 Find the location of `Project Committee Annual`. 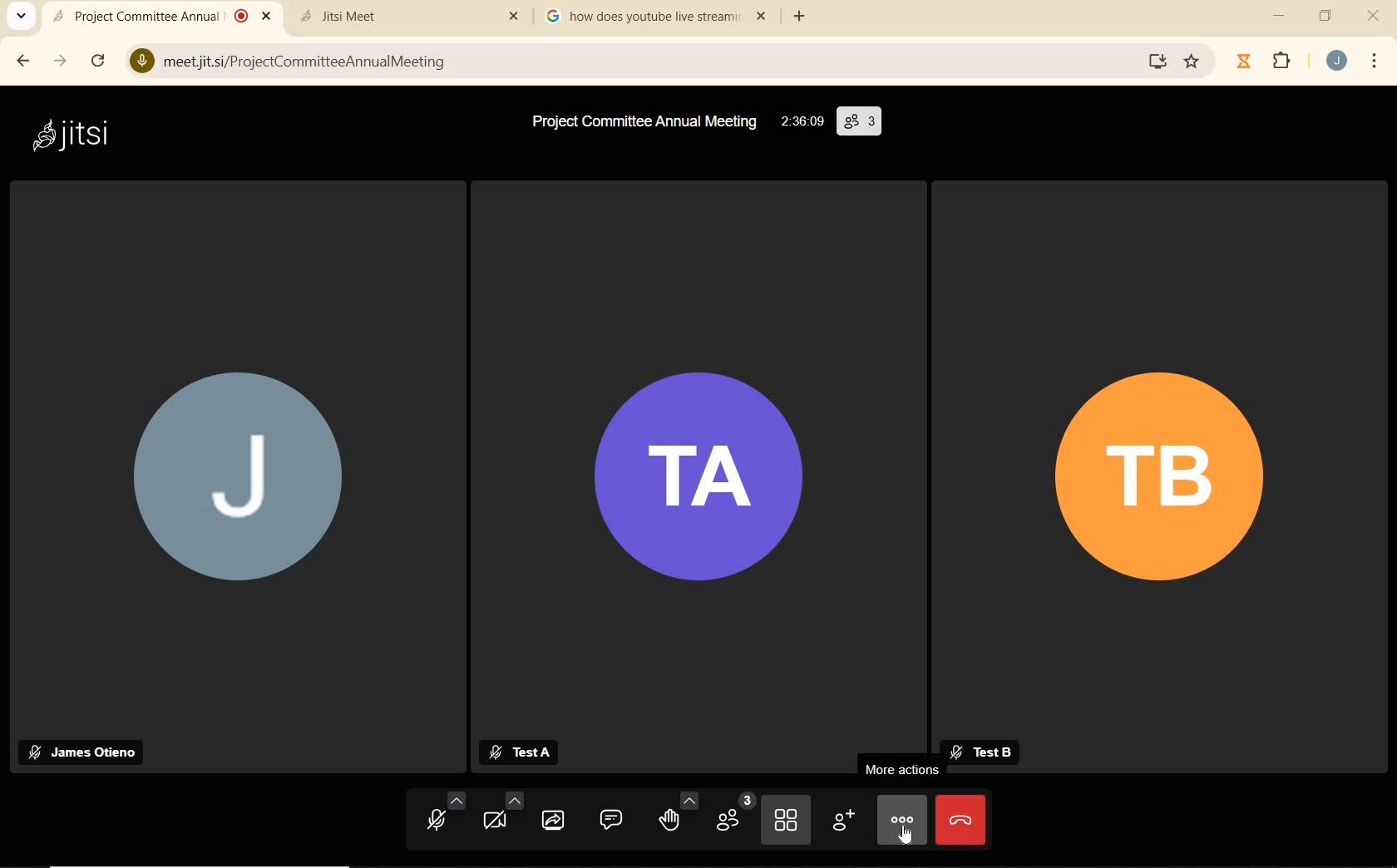

Project Committee Annual is located at coordinates (161, 16).